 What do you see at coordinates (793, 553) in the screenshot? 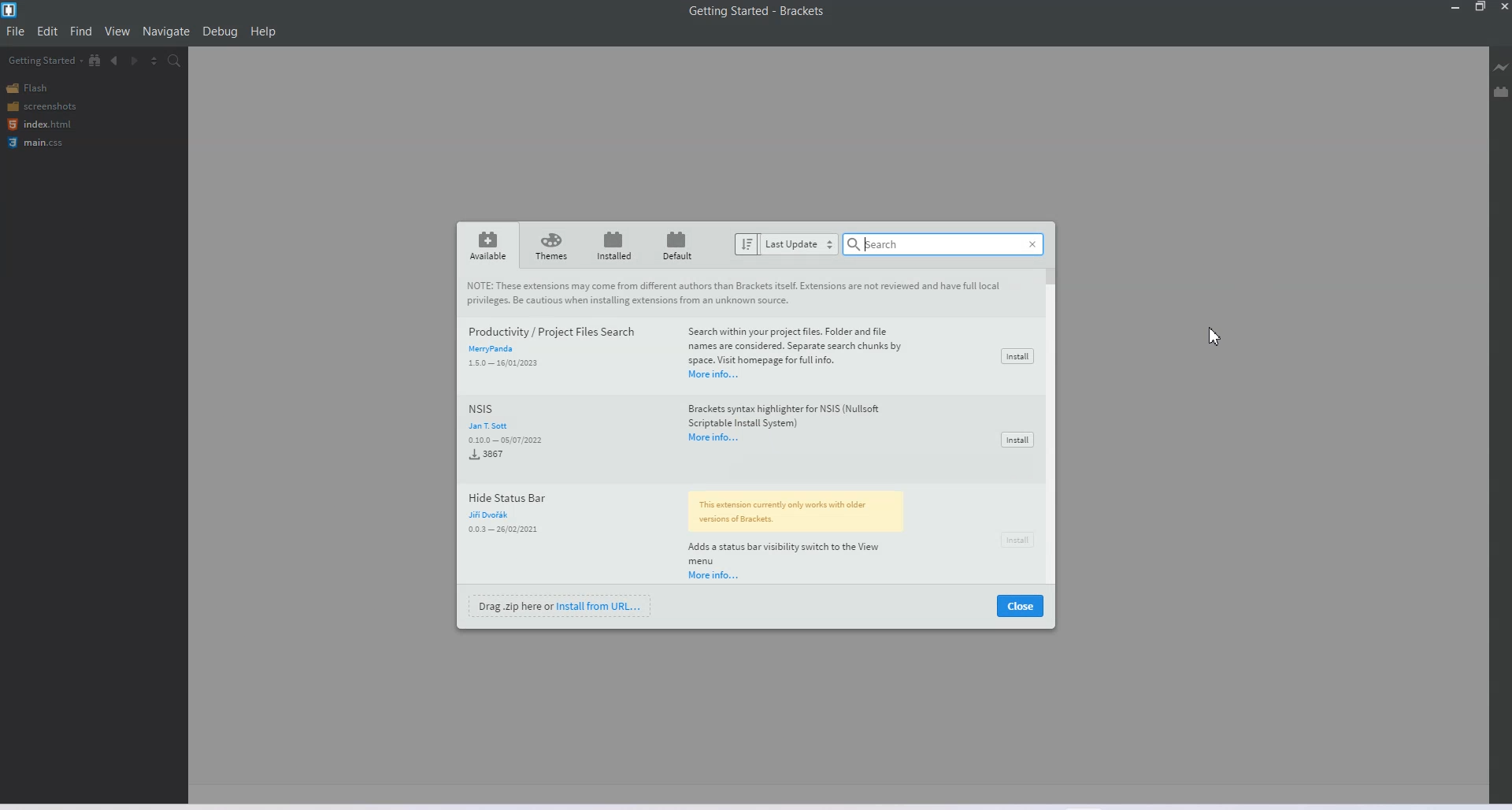
I see `extension info` at bounding box center [793, 553].